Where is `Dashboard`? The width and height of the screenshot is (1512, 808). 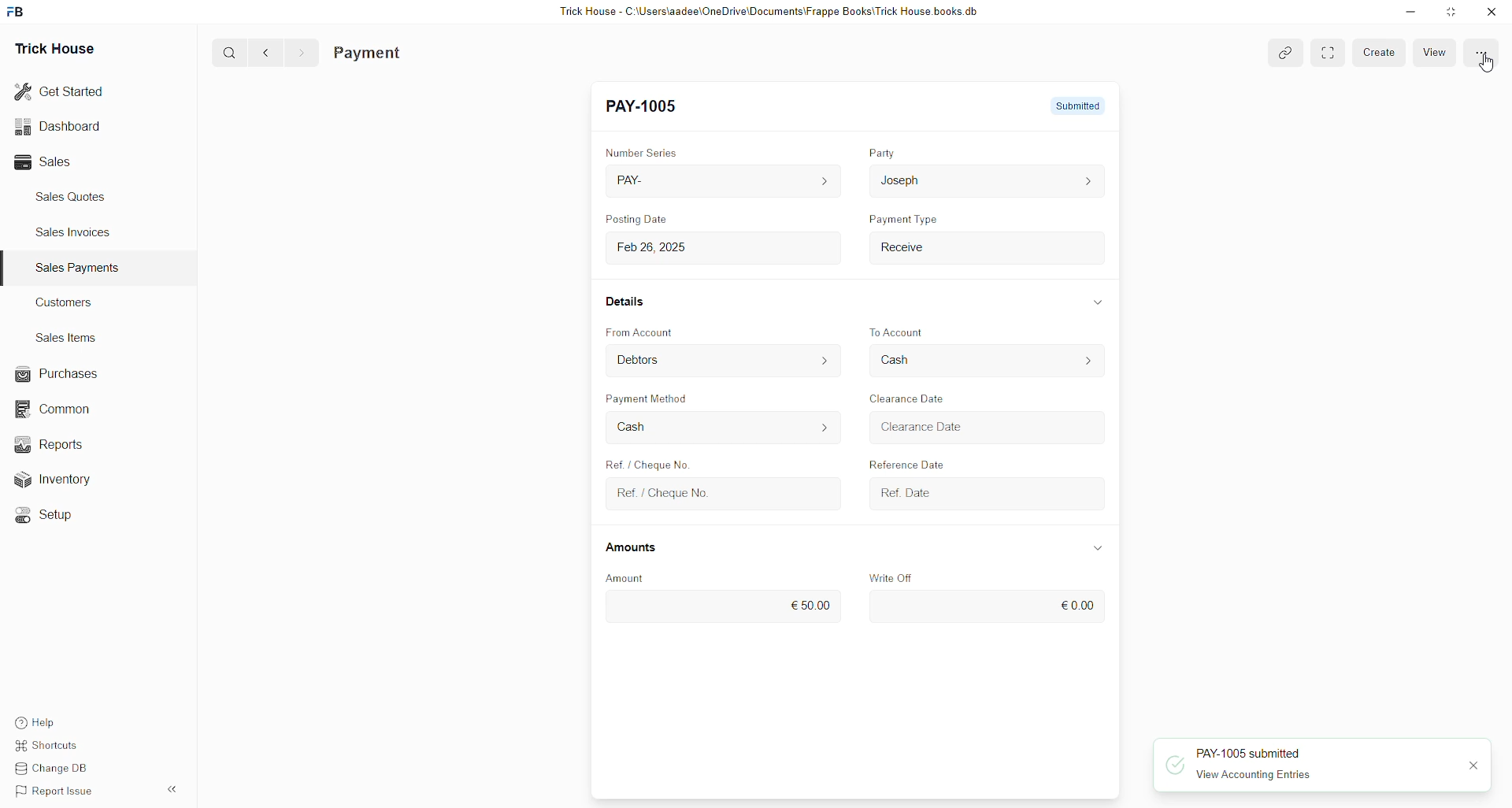 Dashboard is located at coordinates (57, 129).